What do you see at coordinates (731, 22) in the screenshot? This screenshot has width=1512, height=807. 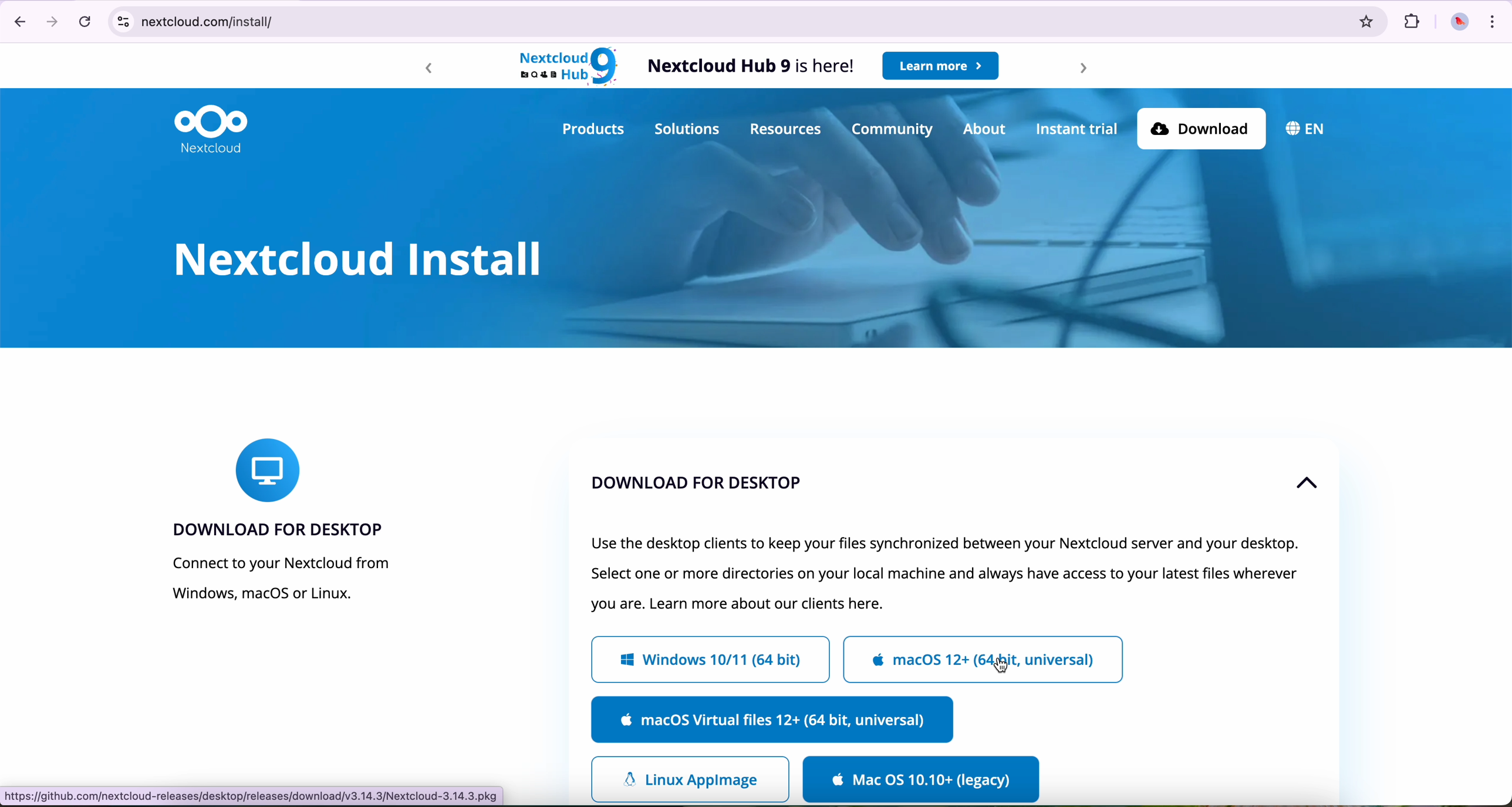 I see `next cloud.com/install/` at bounding box center [731, 22].